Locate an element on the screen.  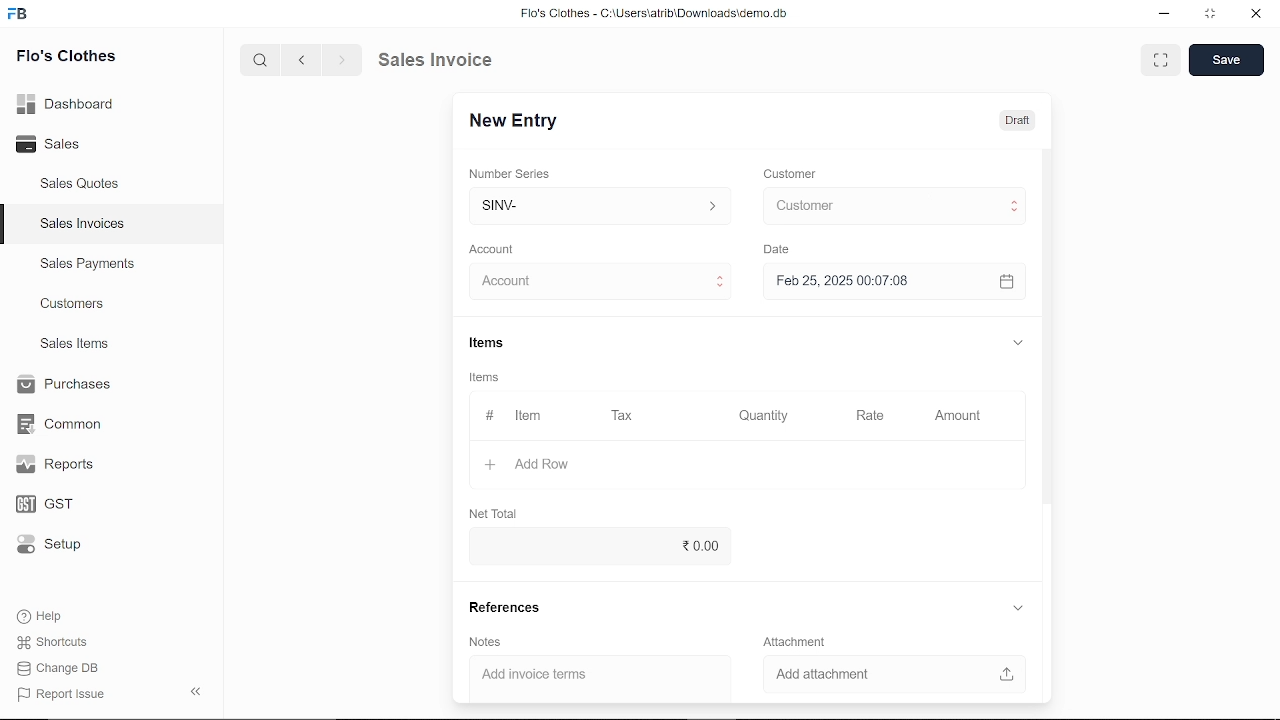
‘Notes is located at coordinates (489, 642).